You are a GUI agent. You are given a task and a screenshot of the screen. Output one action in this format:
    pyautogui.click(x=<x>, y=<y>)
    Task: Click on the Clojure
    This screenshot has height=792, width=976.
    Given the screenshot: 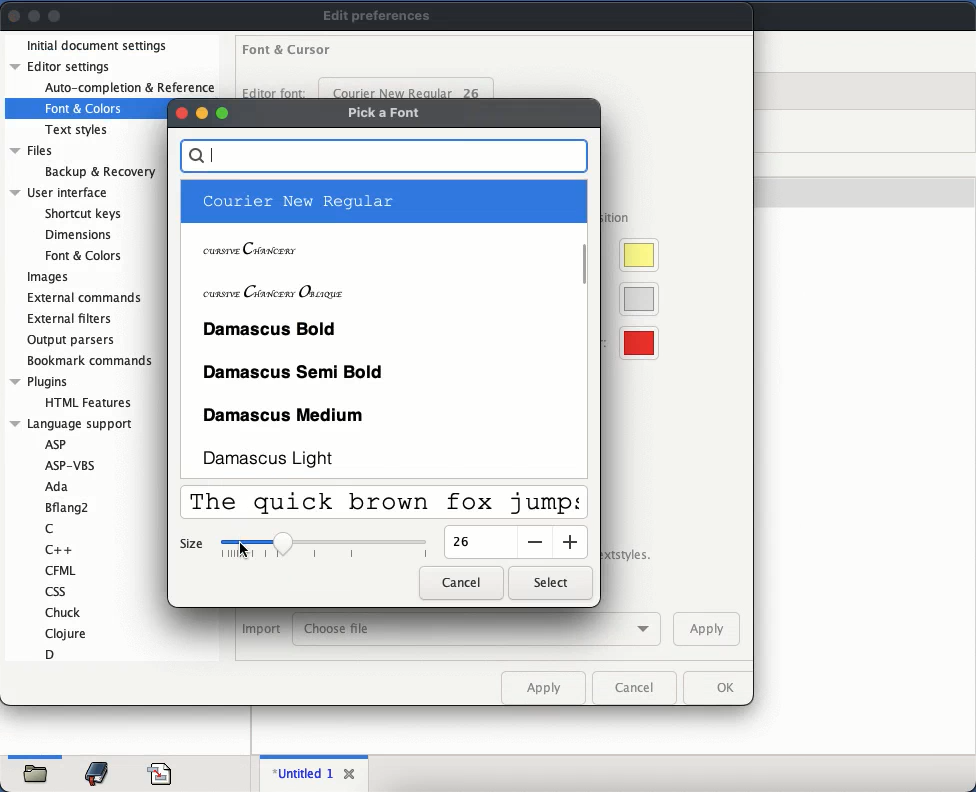 What is the action you would take?
    pyautogui.click(x=66, y=633)
    